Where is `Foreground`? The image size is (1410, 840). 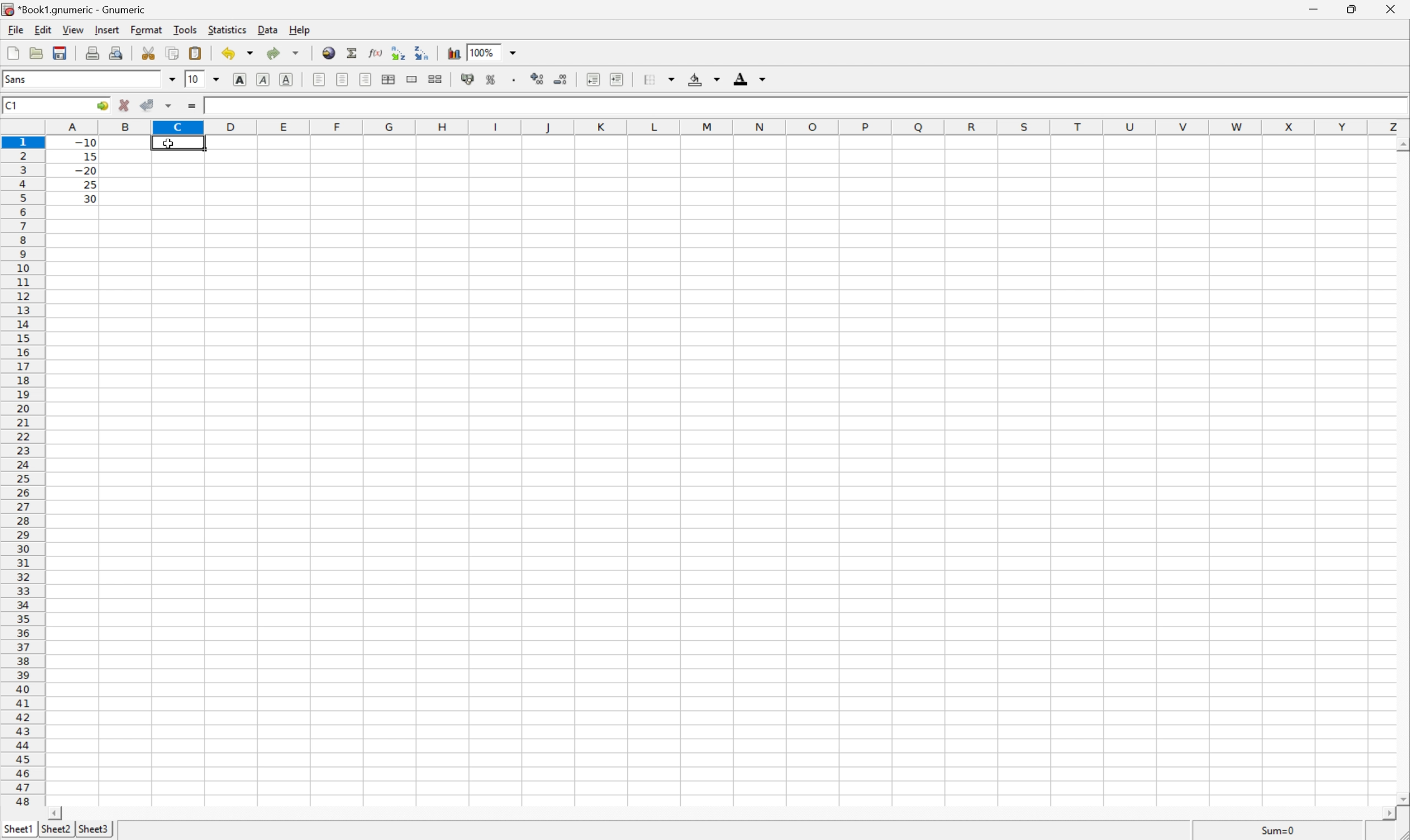
Foreground is located at coordinates (740, 81).